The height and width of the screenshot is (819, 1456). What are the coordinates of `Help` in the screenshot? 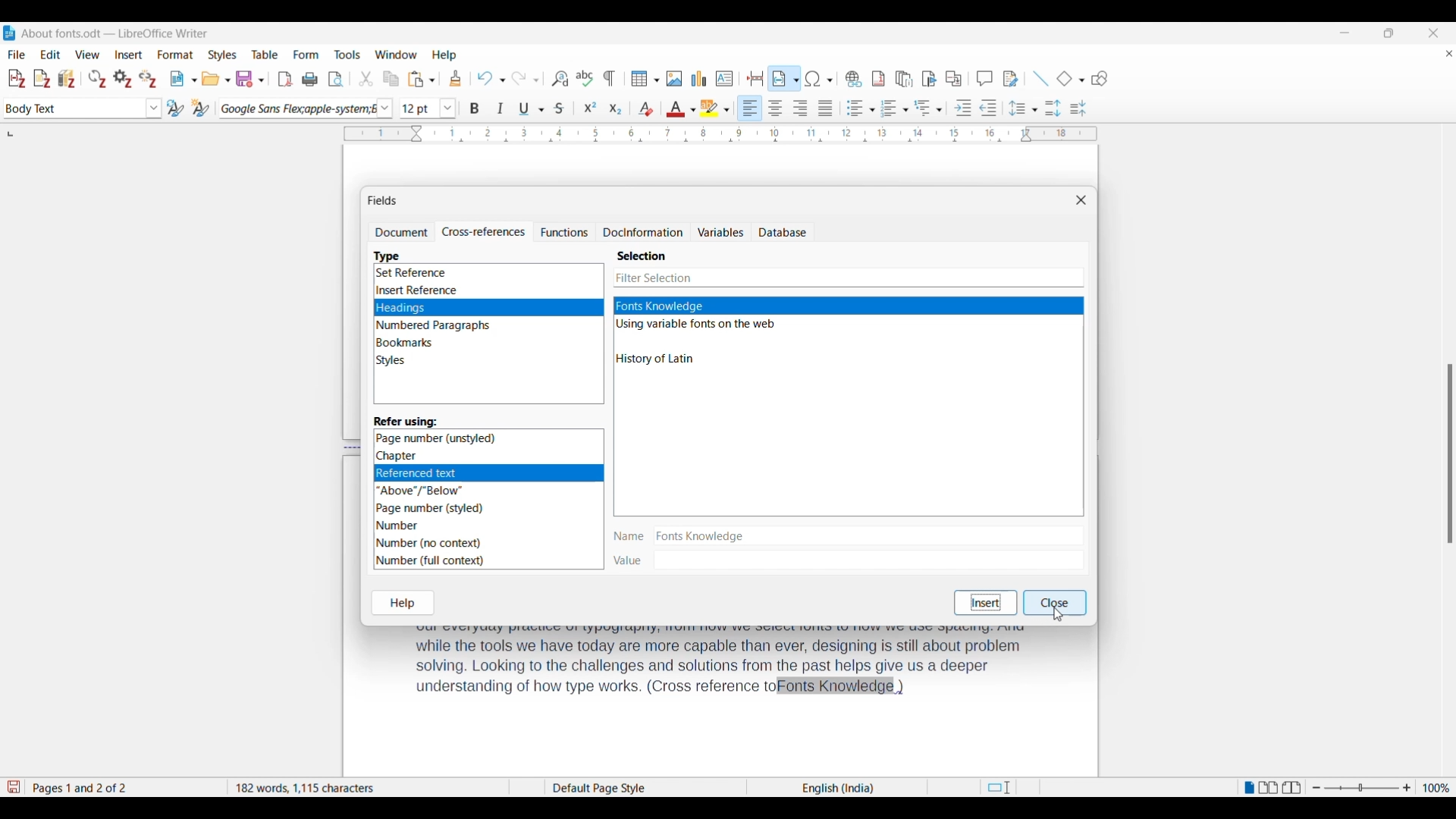 It's located at (404, 602).